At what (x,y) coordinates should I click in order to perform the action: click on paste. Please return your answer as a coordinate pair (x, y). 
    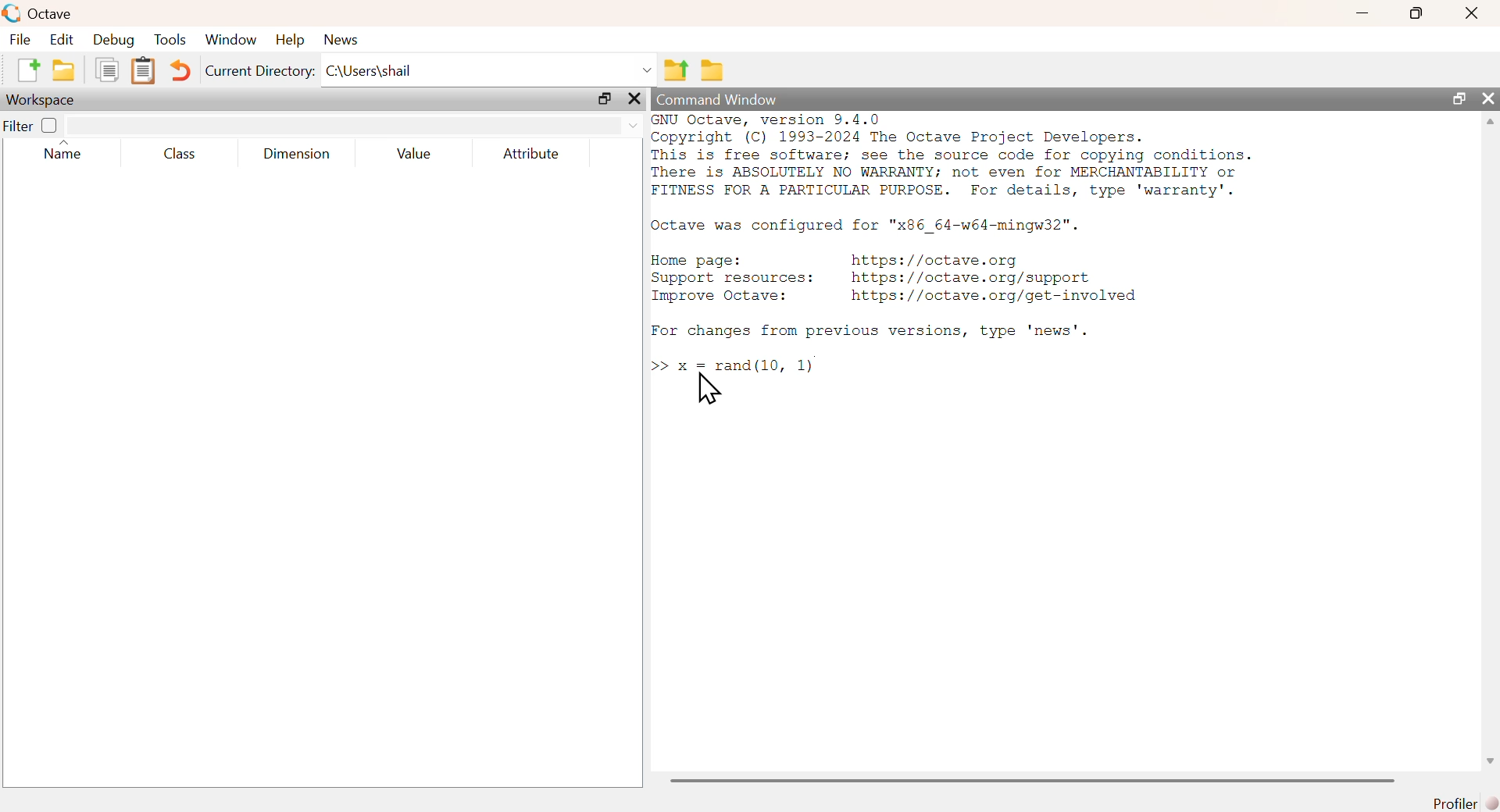
    Looking at the image, I should click on (143, 71).